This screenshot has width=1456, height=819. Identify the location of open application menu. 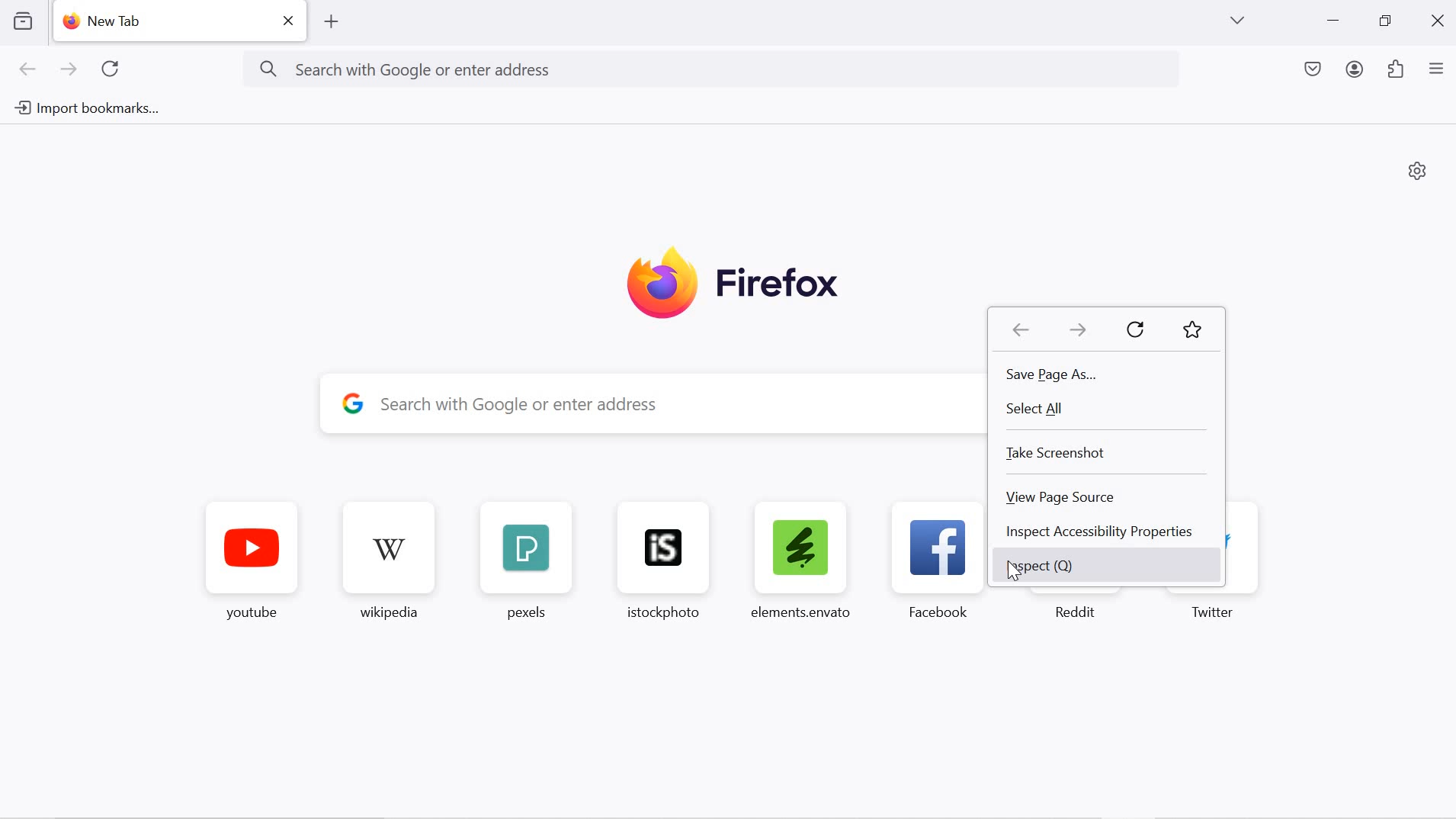
(1438, 67).